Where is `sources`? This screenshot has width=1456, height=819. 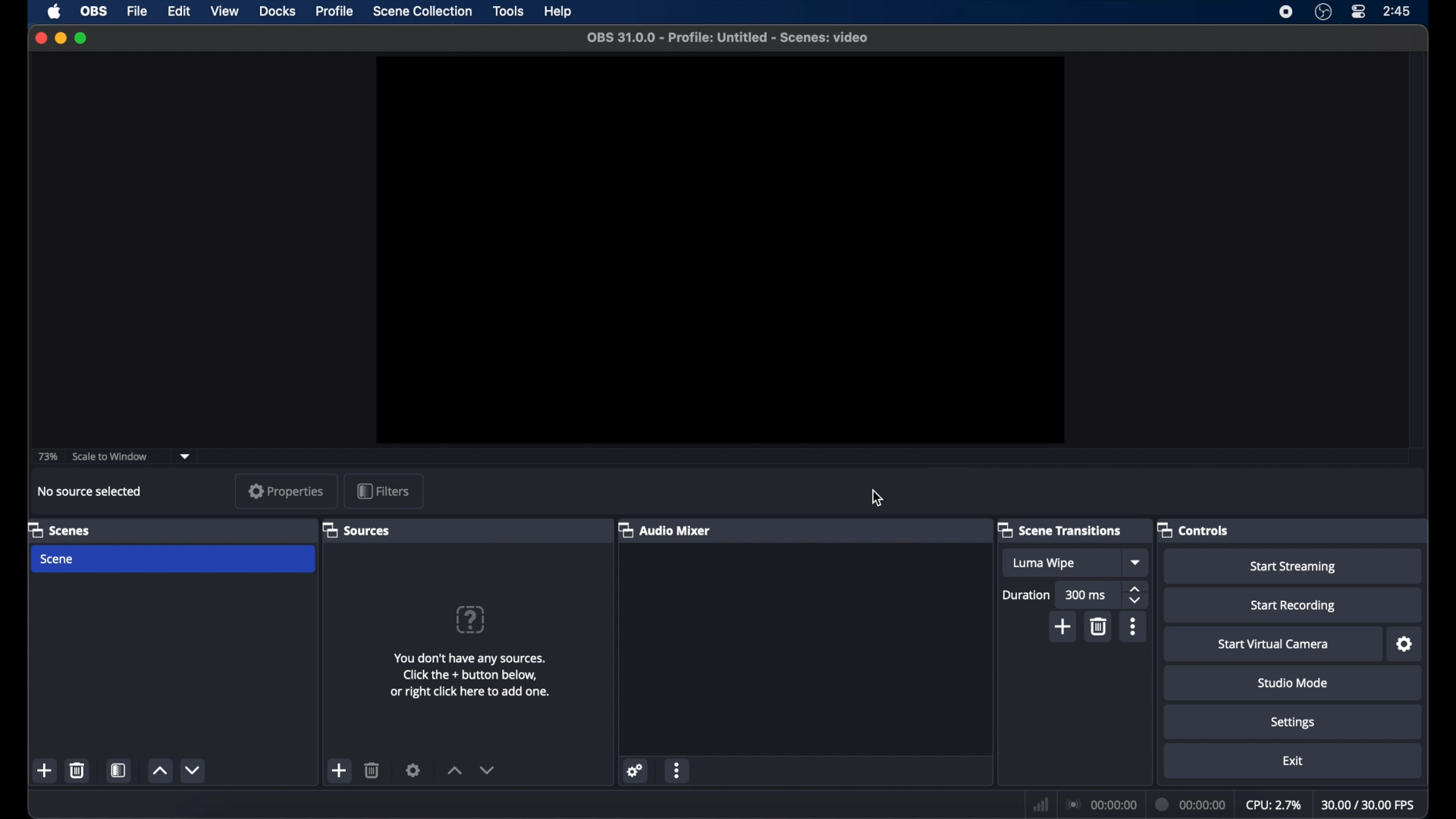
sources is located at coordinates (356, 530).